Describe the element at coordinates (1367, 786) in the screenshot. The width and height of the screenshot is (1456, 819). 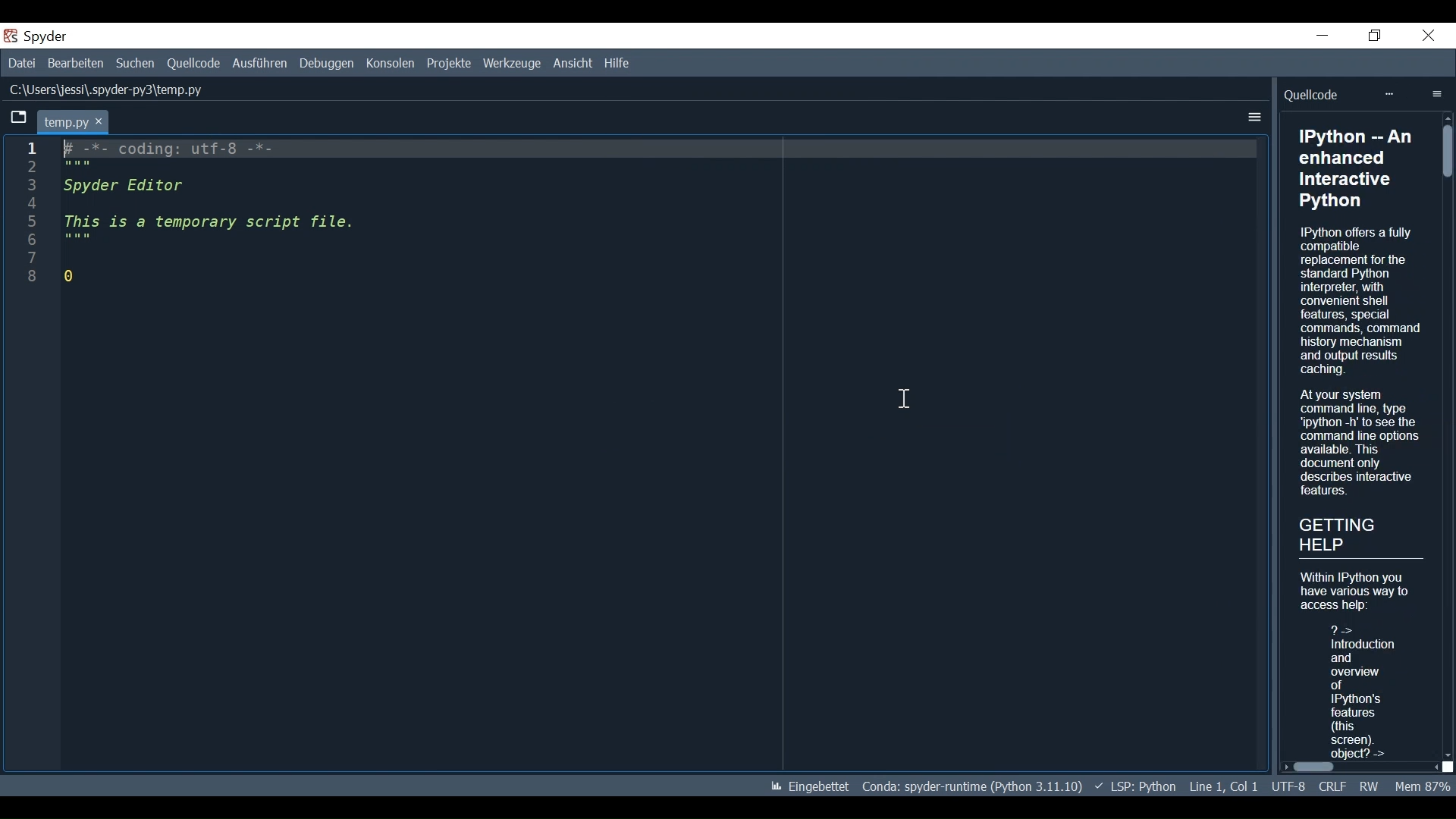
I see `RW` at that location.